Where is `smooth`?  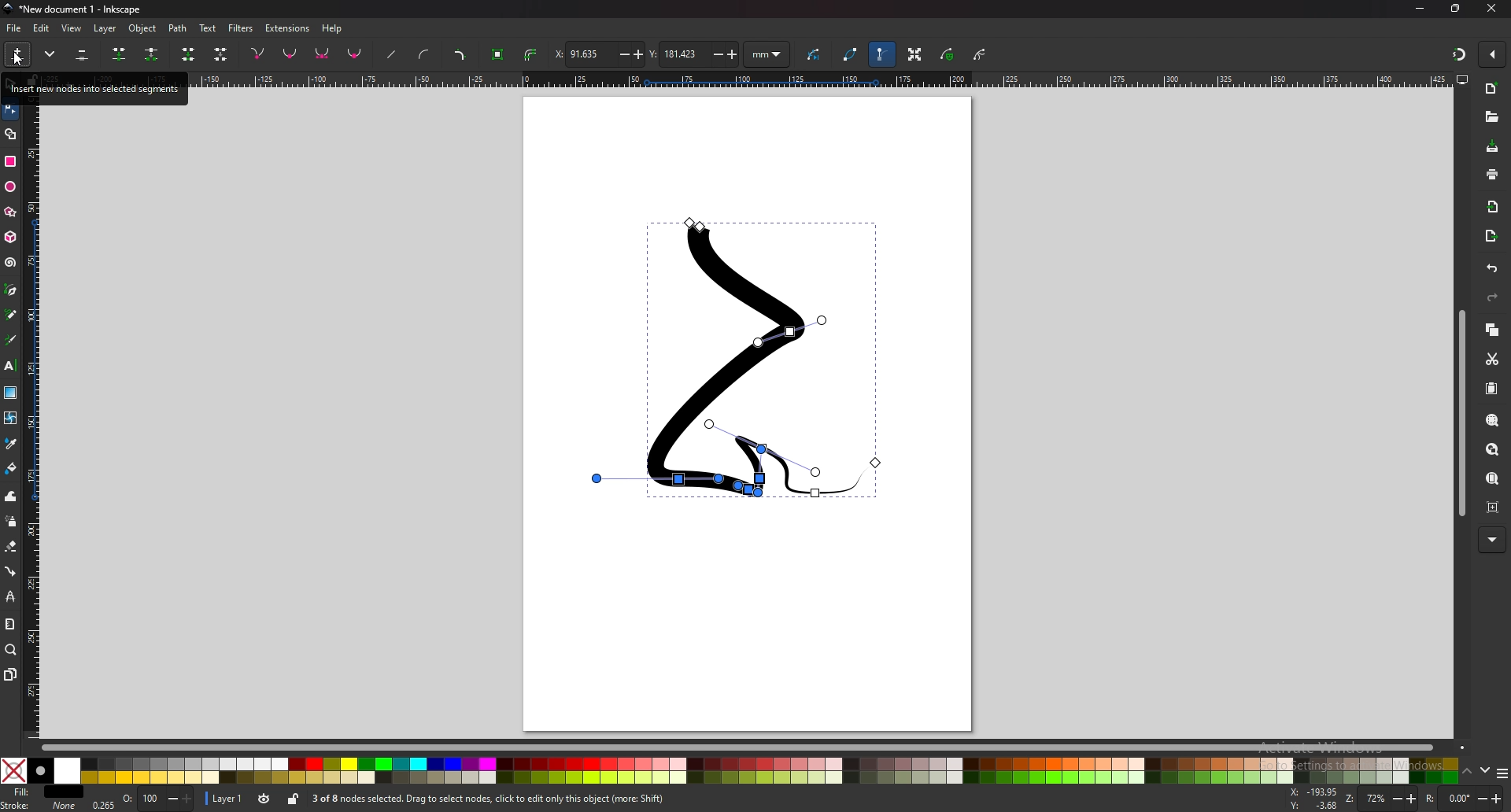 smooth is located at coordinates (291, 54).